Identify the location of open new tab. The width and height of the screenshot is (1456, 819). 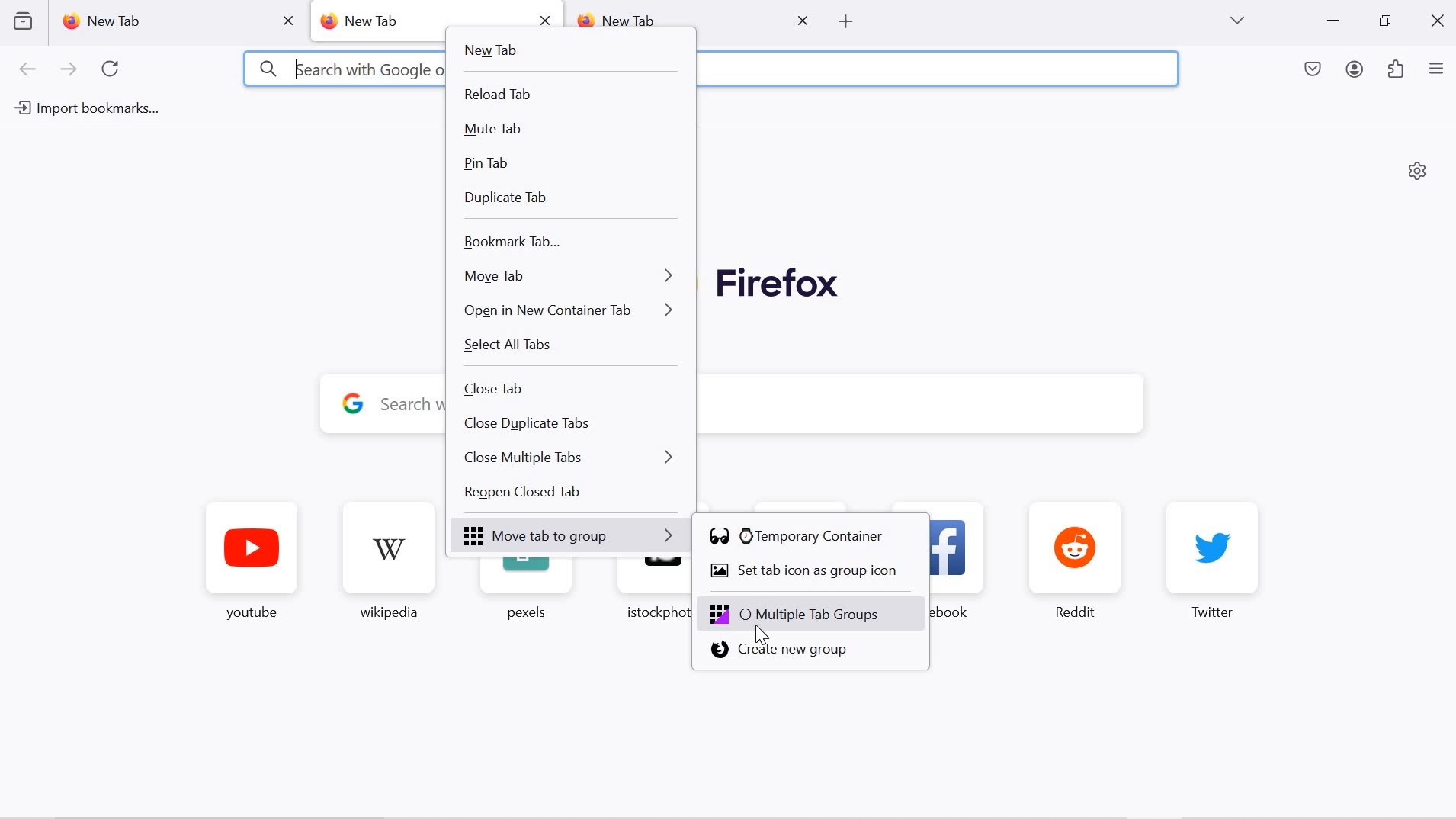
(845, 20).